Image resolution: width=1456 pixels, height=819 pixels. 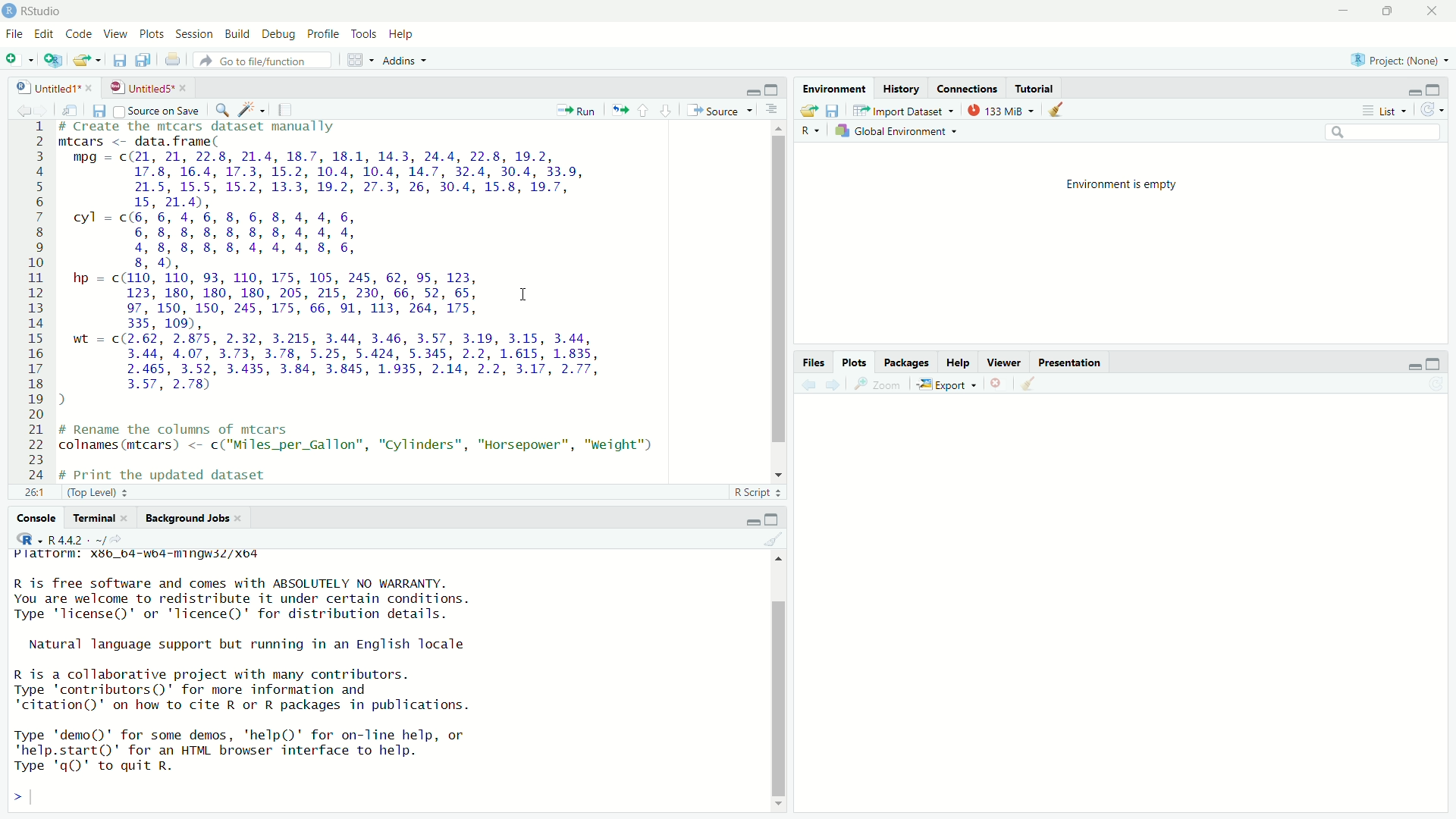 What do you see at coordinates (1381, 133) in the screenshot?
I see `search` at bounding box center [1381, 133].